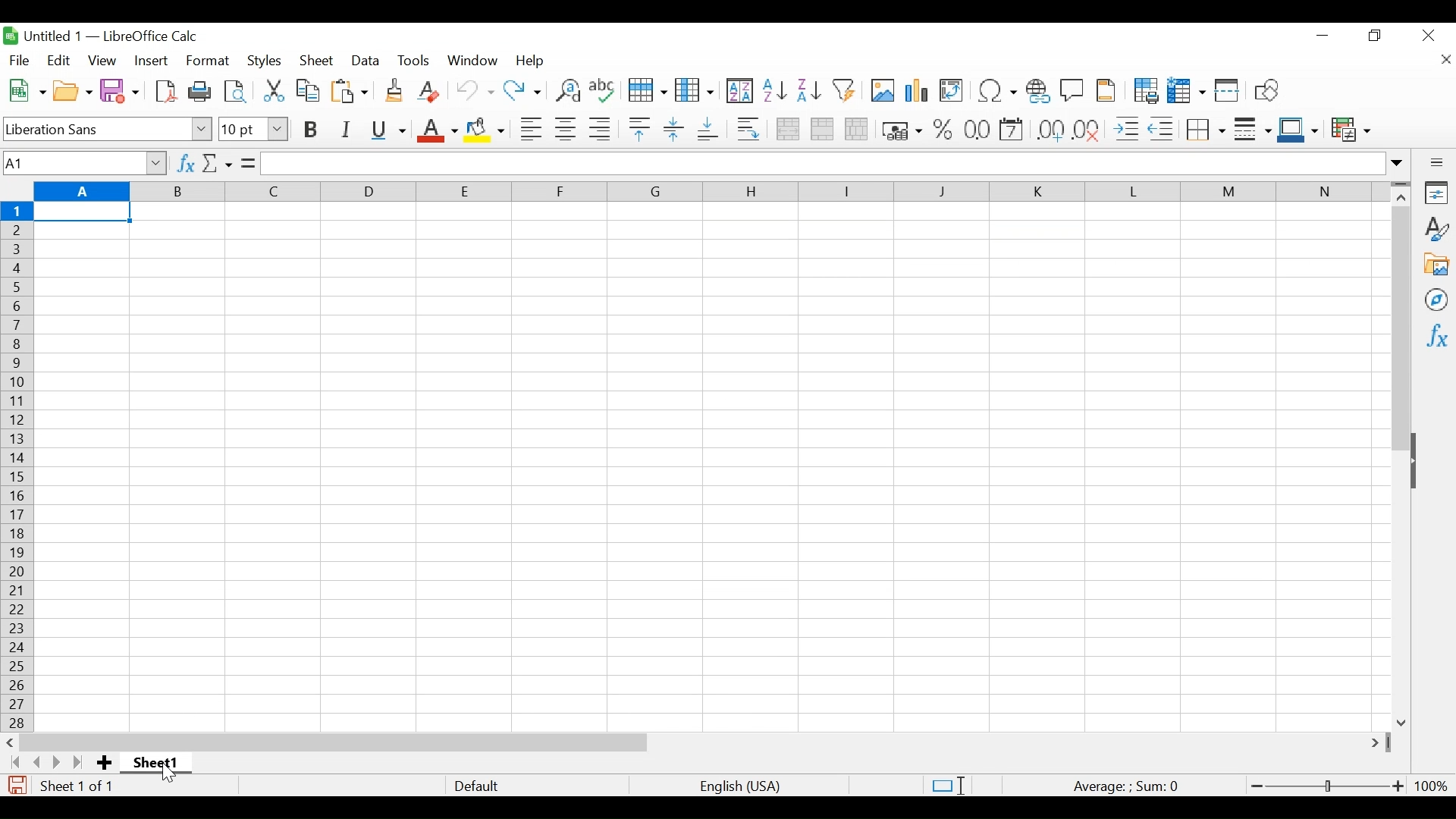  What do you see at coordinates (366, 61) in the screenshot?
I see `Data` at bounding box center [366, 61].